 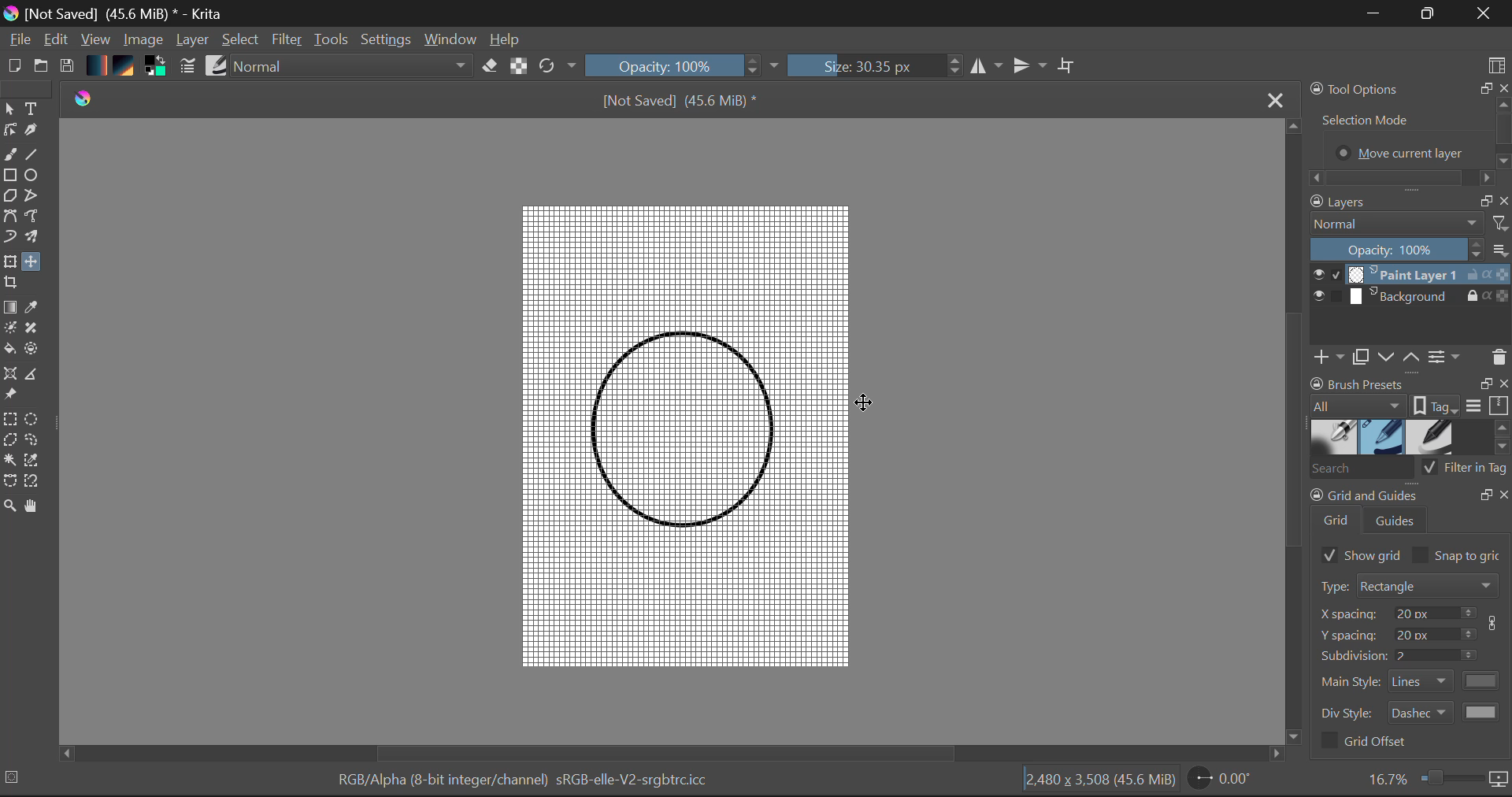 What do you see at coordinates (34, 418) in the screenshot?
I see `Elipses Selection Tool` at bounding box center [34, 418].